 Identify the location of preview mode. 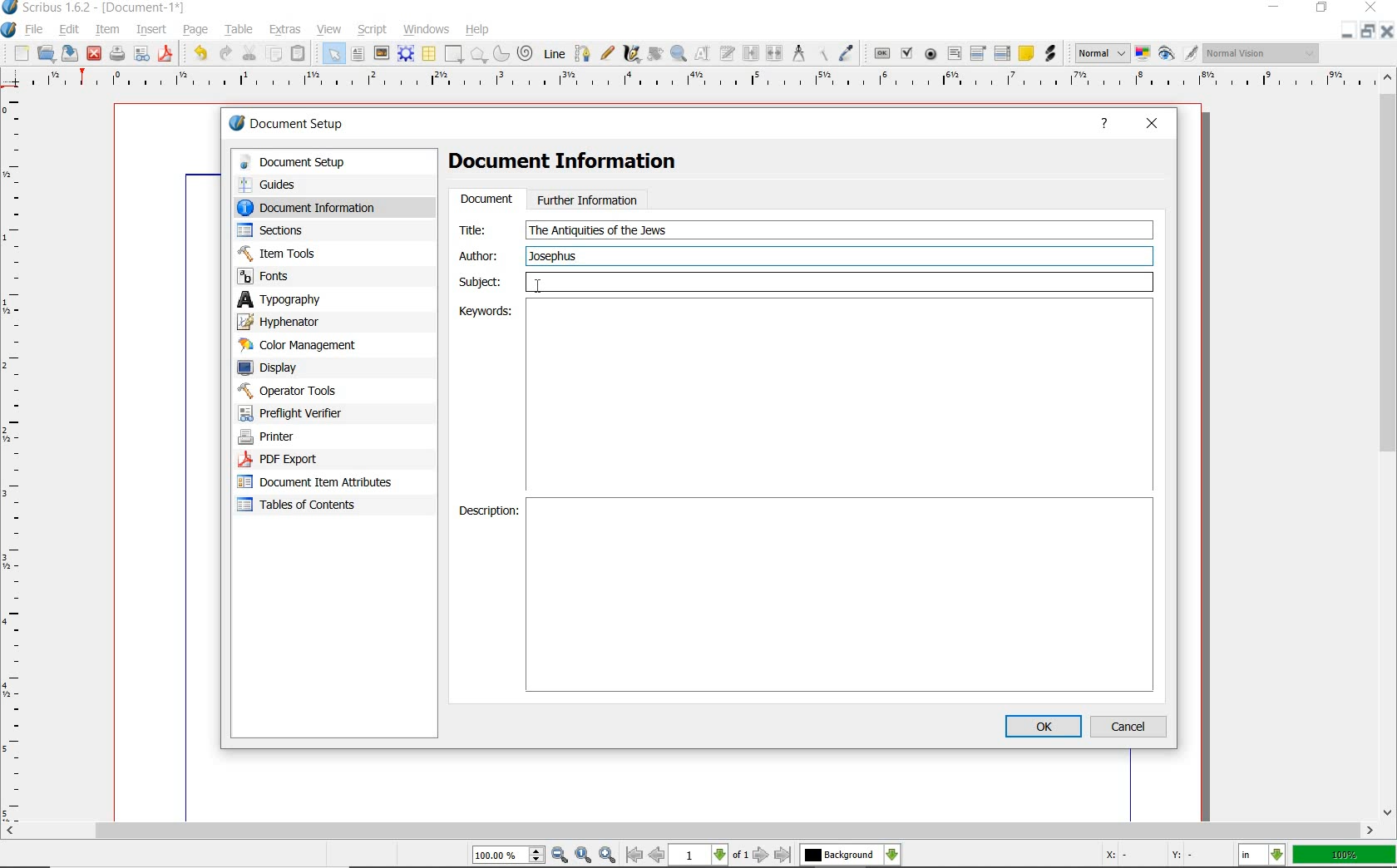
(1179, 54).